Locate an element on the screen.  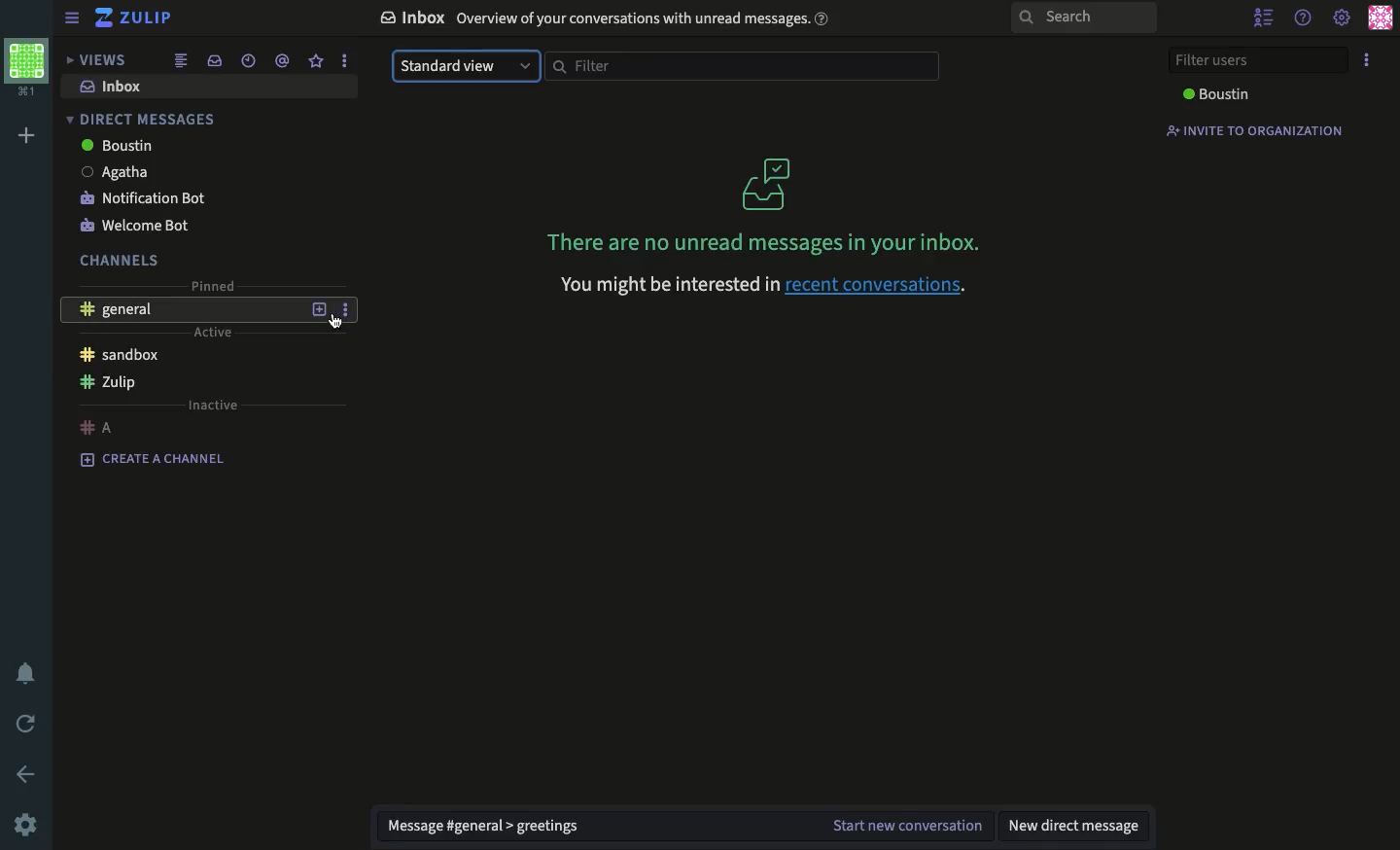
there are no unread messages in your inbox is located at coordinates (768, 204).